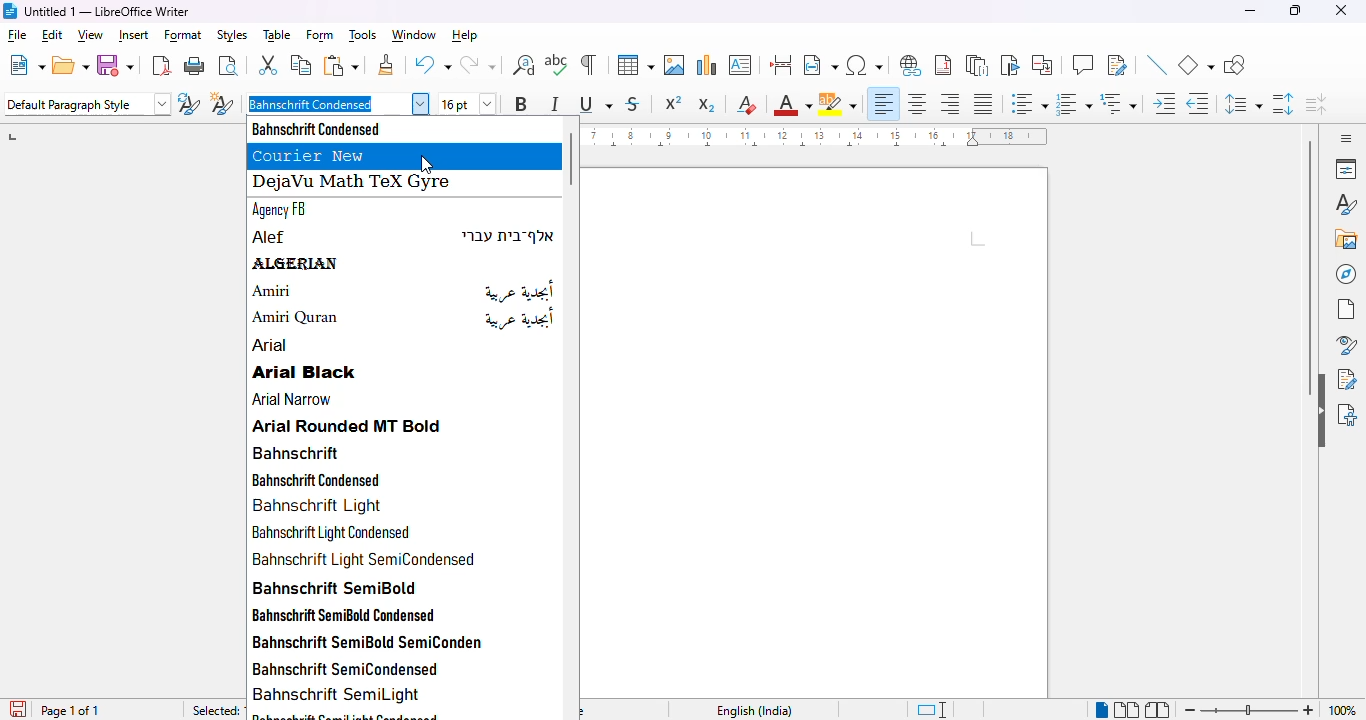 This screenshot has width=1366, height=720. Describe the element at coordinates (521, 104) in the screenshot. I see `bold` at that location.